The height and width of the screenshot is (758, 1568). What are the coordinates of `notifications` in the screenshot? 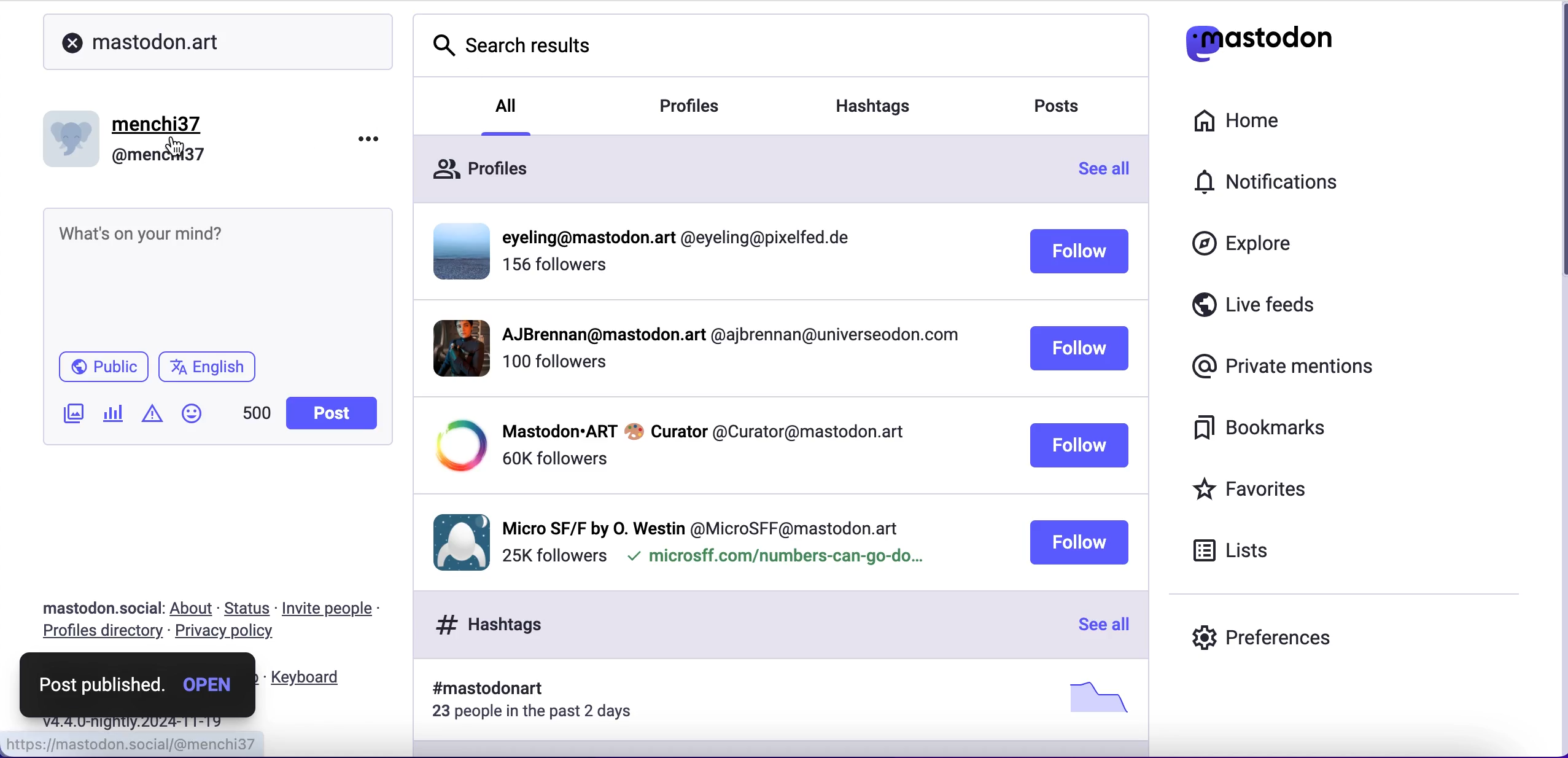 It's located at (1267, 180).